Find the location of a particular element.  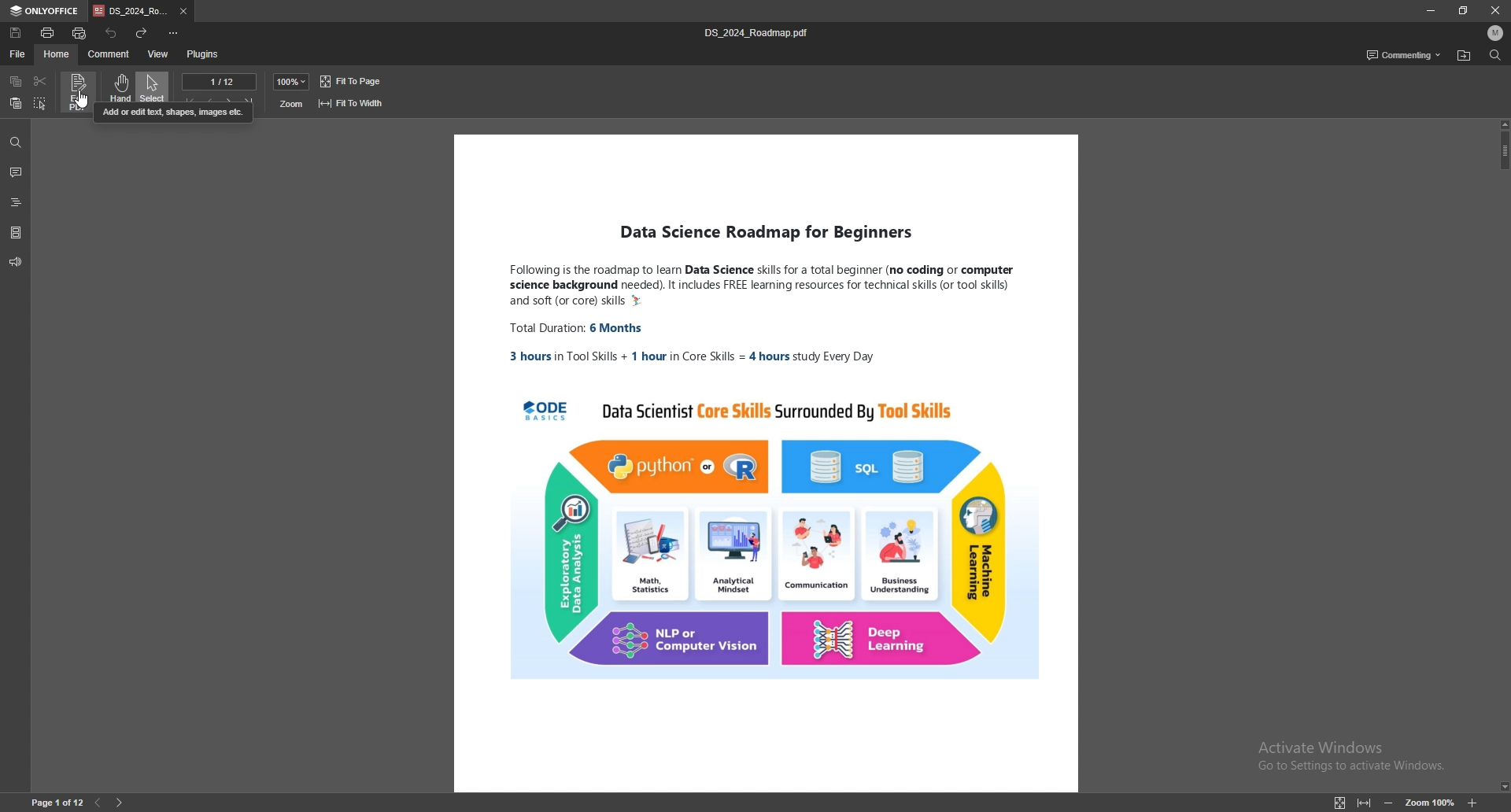

profile is located at coordinates (1496, 33).